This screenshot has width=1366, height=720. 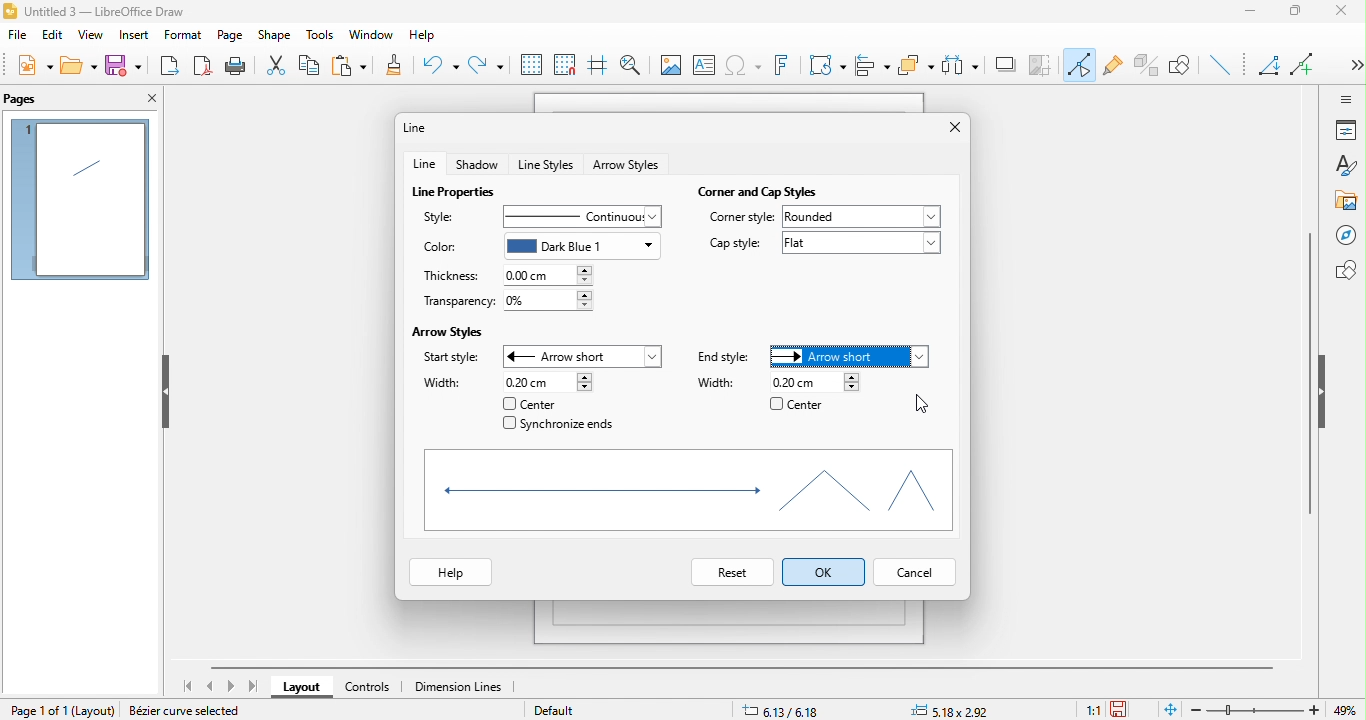 I want to click on corner and cap styles, so click(x=761, y=188).